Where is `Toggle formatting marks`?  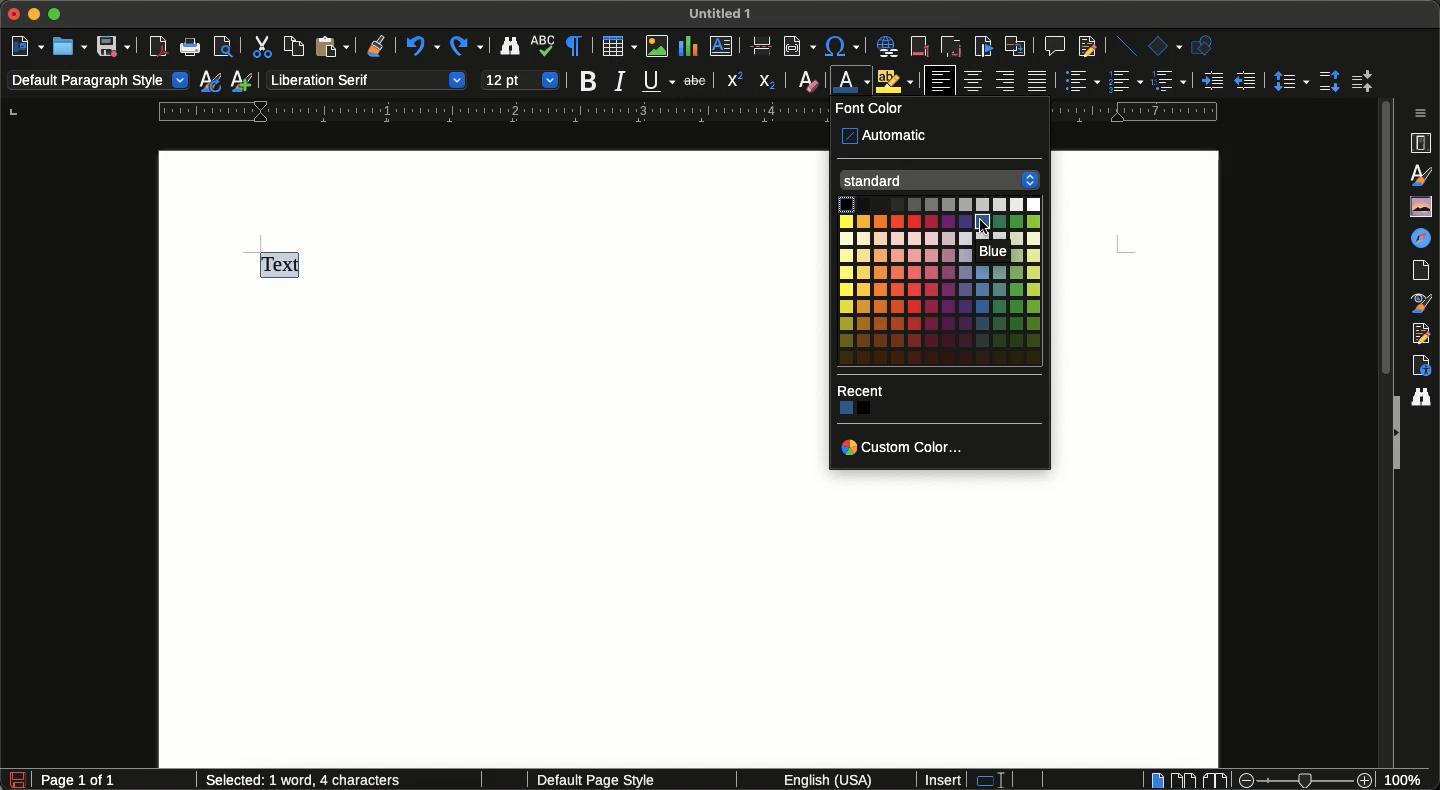
Toggle formatting marks is located at coordinates (576, 46).